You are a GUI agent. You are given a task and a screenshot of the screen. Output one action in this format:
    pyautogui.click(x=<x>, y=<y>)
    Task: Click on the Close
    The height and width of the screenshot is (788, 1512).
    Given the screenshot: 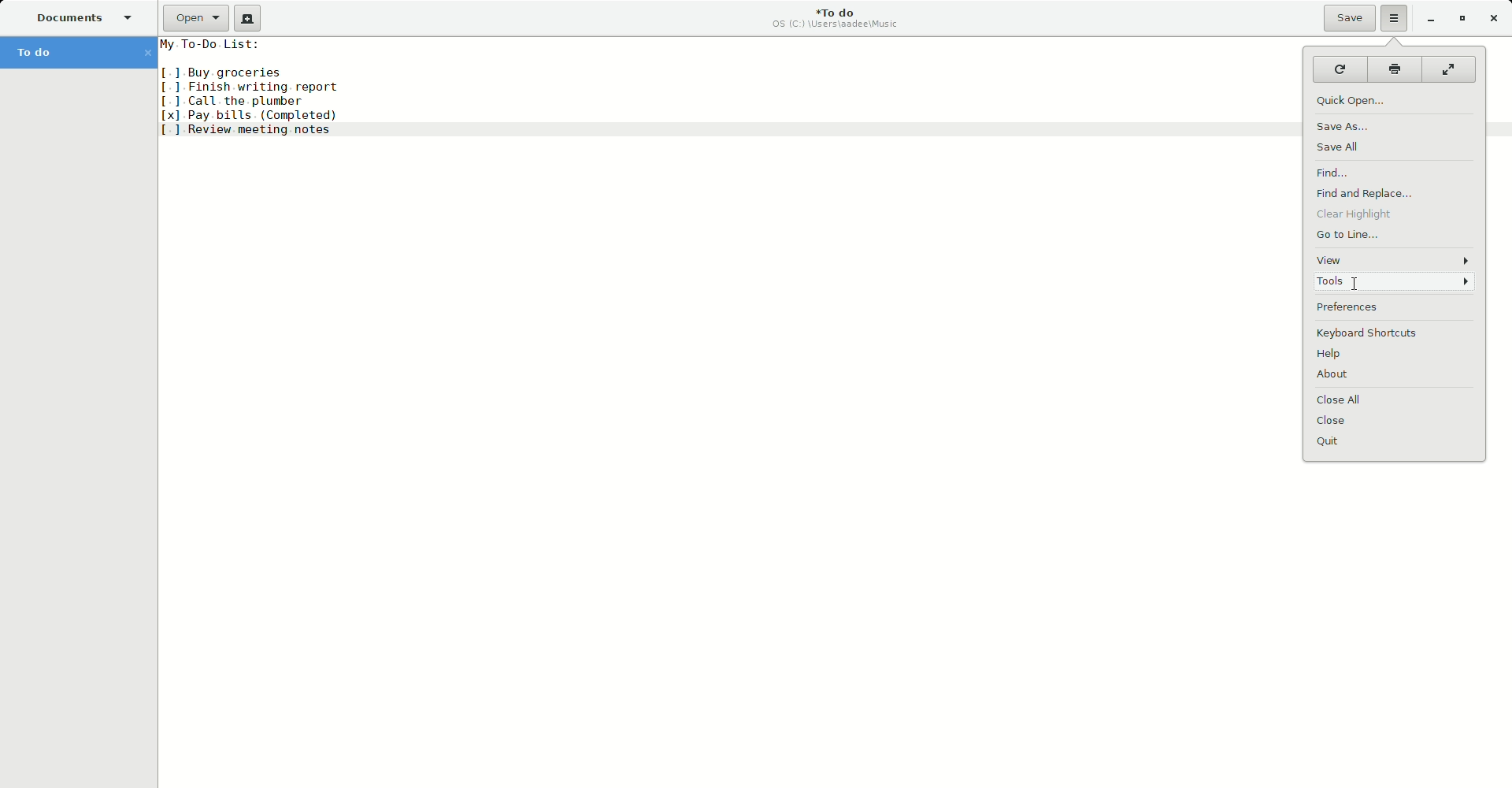 What is the action you would take?
    pyautogui.click(x=1494, y=20)
    